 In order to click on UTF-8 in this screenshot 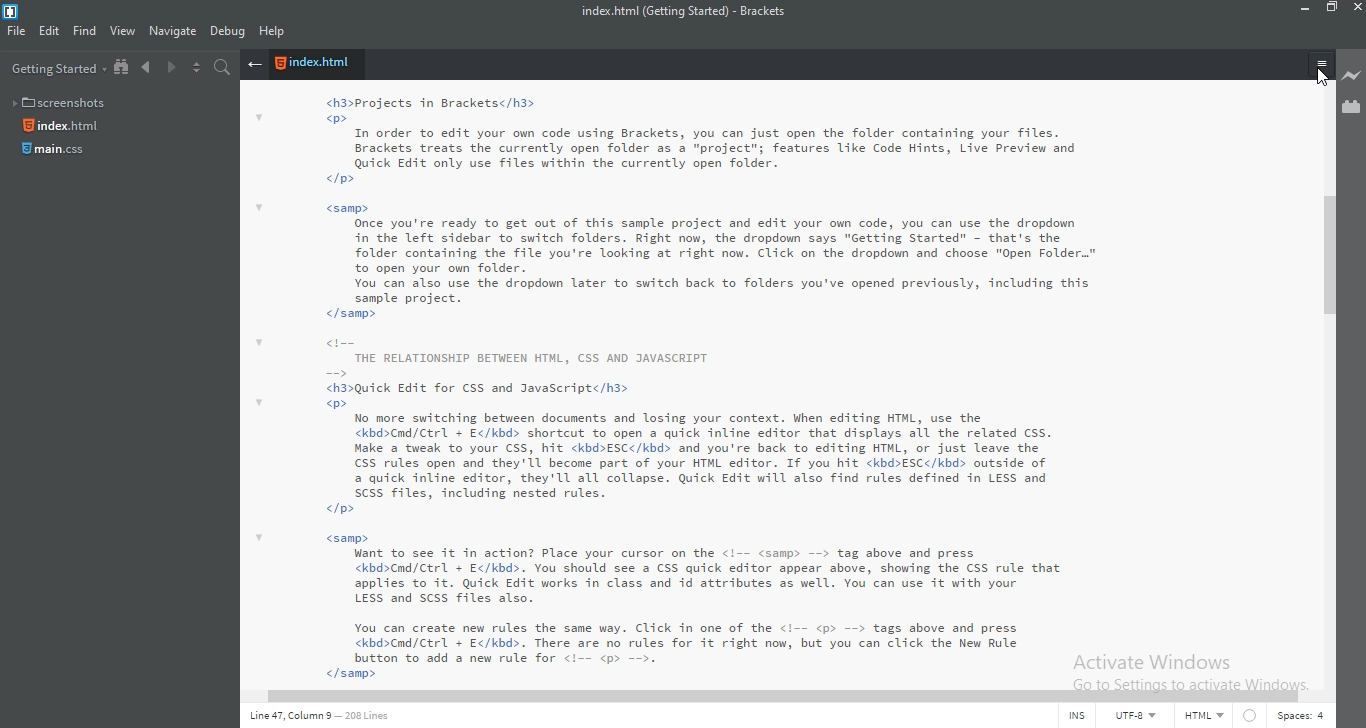, I will do `click(1137, 716)`.